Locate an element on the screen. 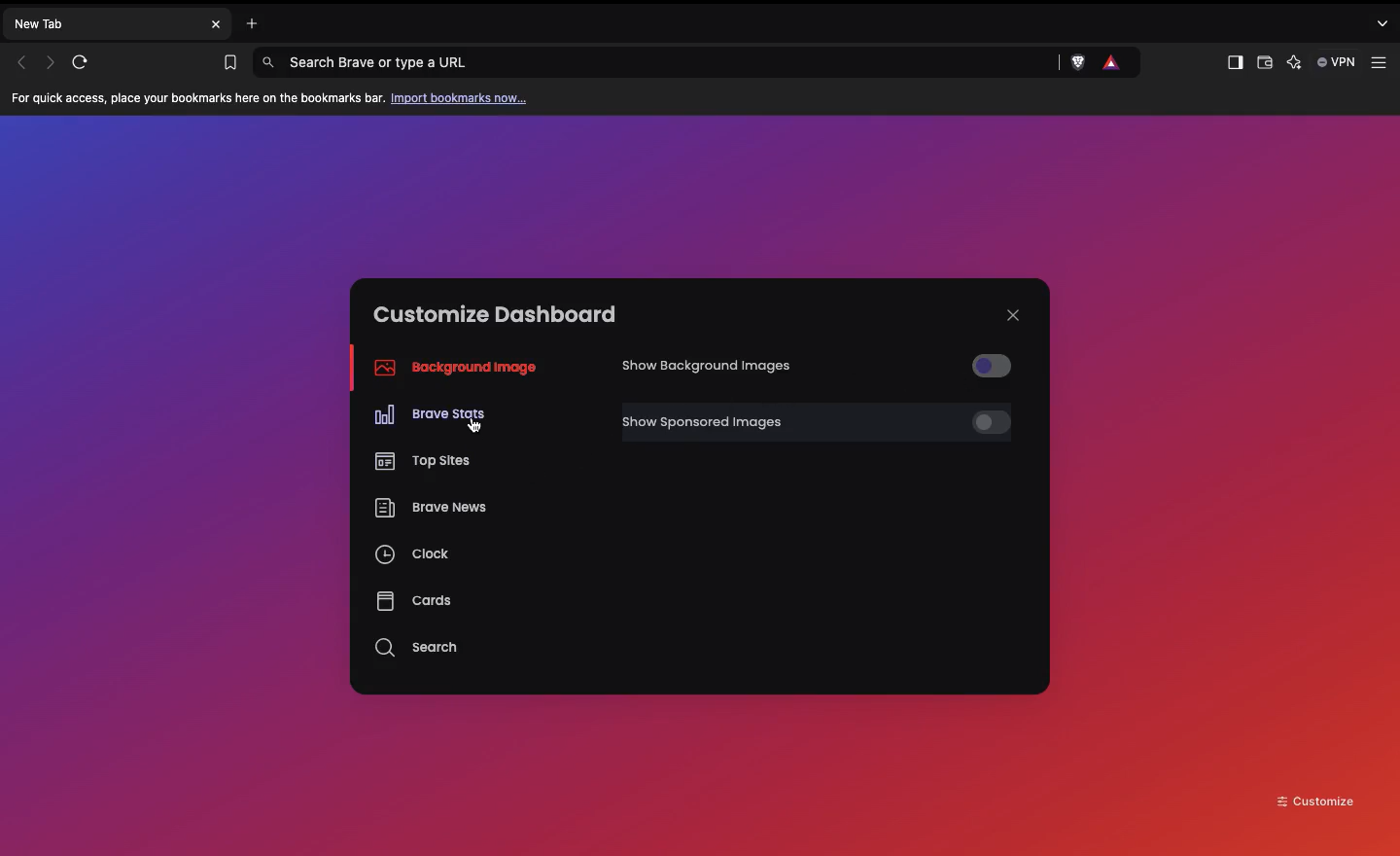 The height and width of the screenshot is (856, 1400). Search Brave or type a URL is located at coordinates (660, 63).